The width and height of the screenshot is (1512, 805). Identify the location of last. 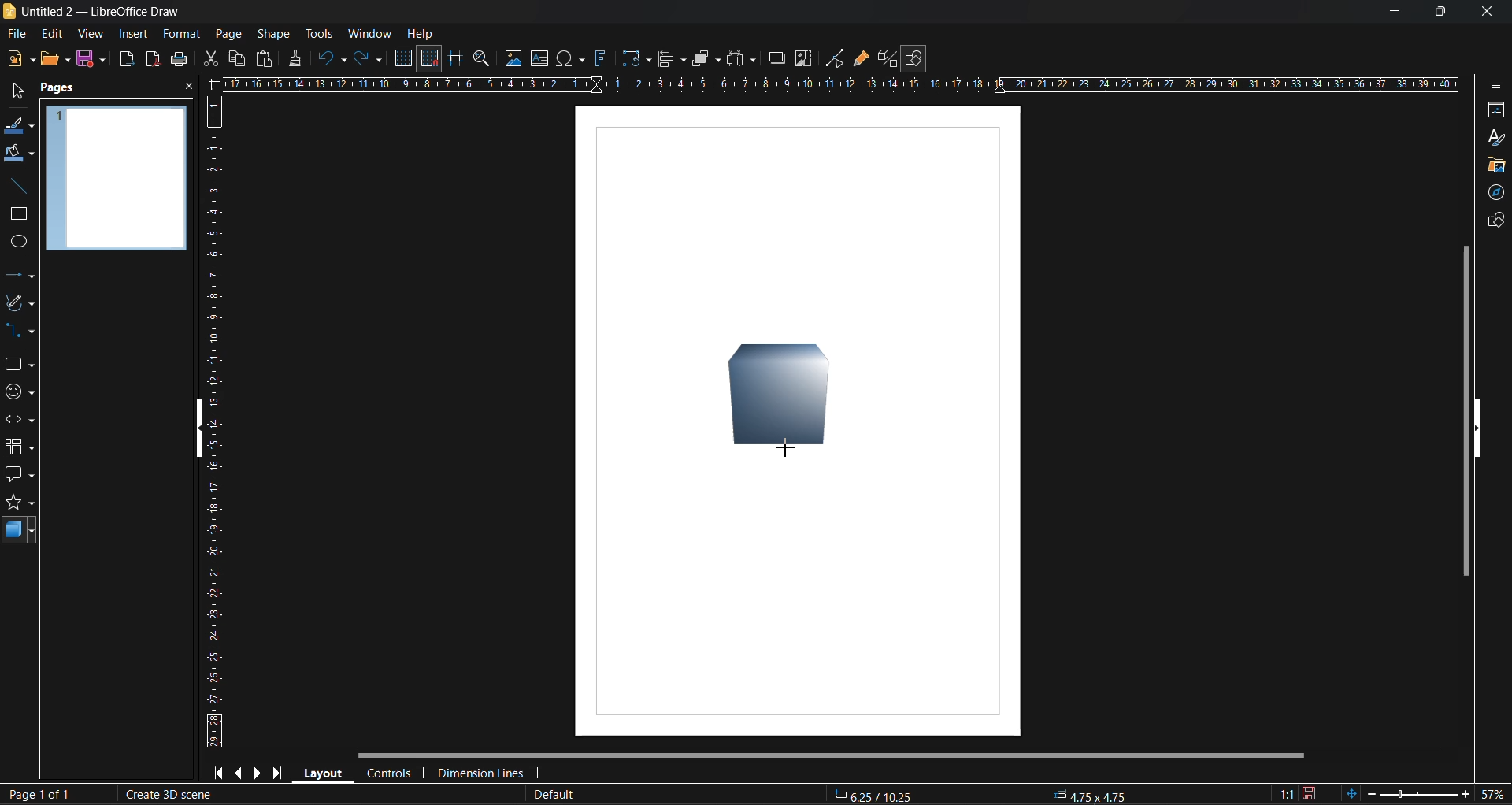
(275, 772).